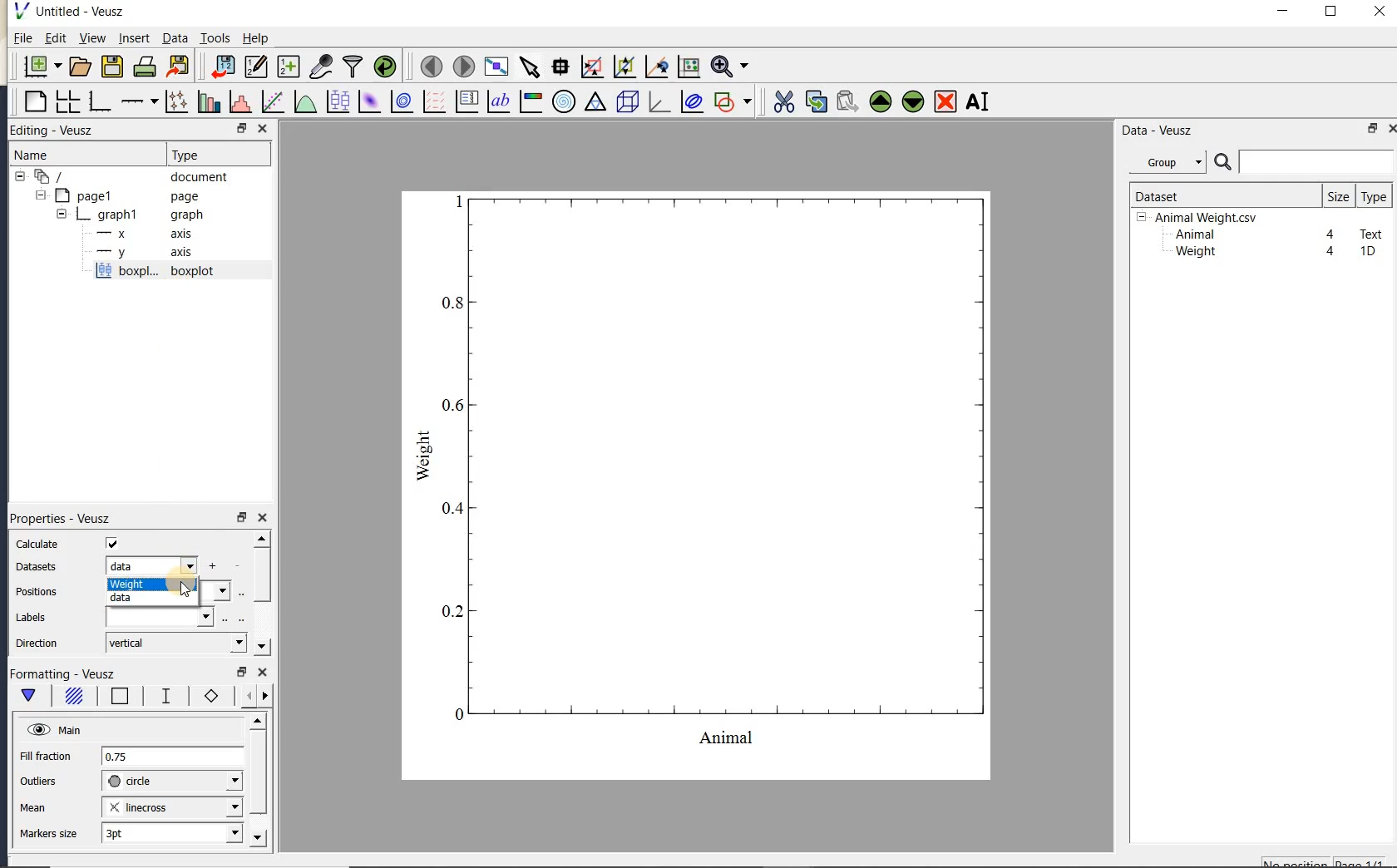  I want to click on graph1, so click(122, 215).